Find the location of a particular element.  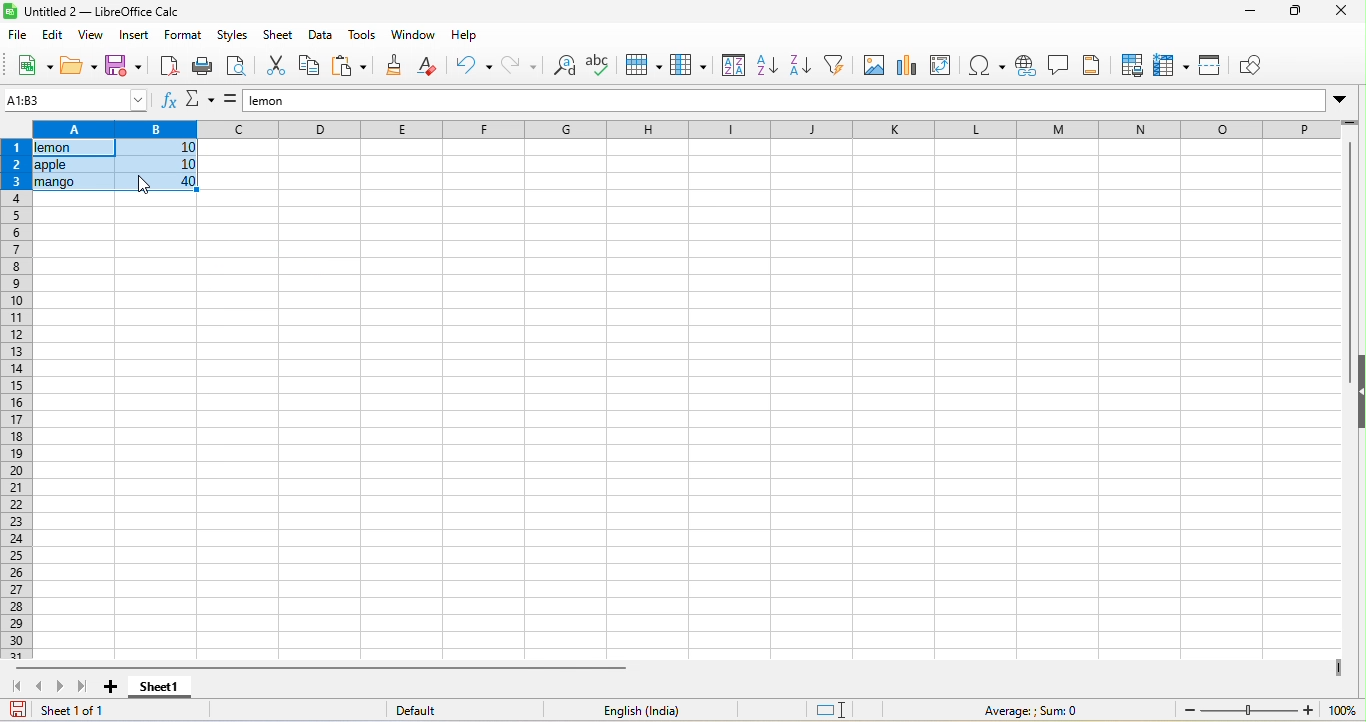

scroll to first sheet is located at coordinates (18, 687).